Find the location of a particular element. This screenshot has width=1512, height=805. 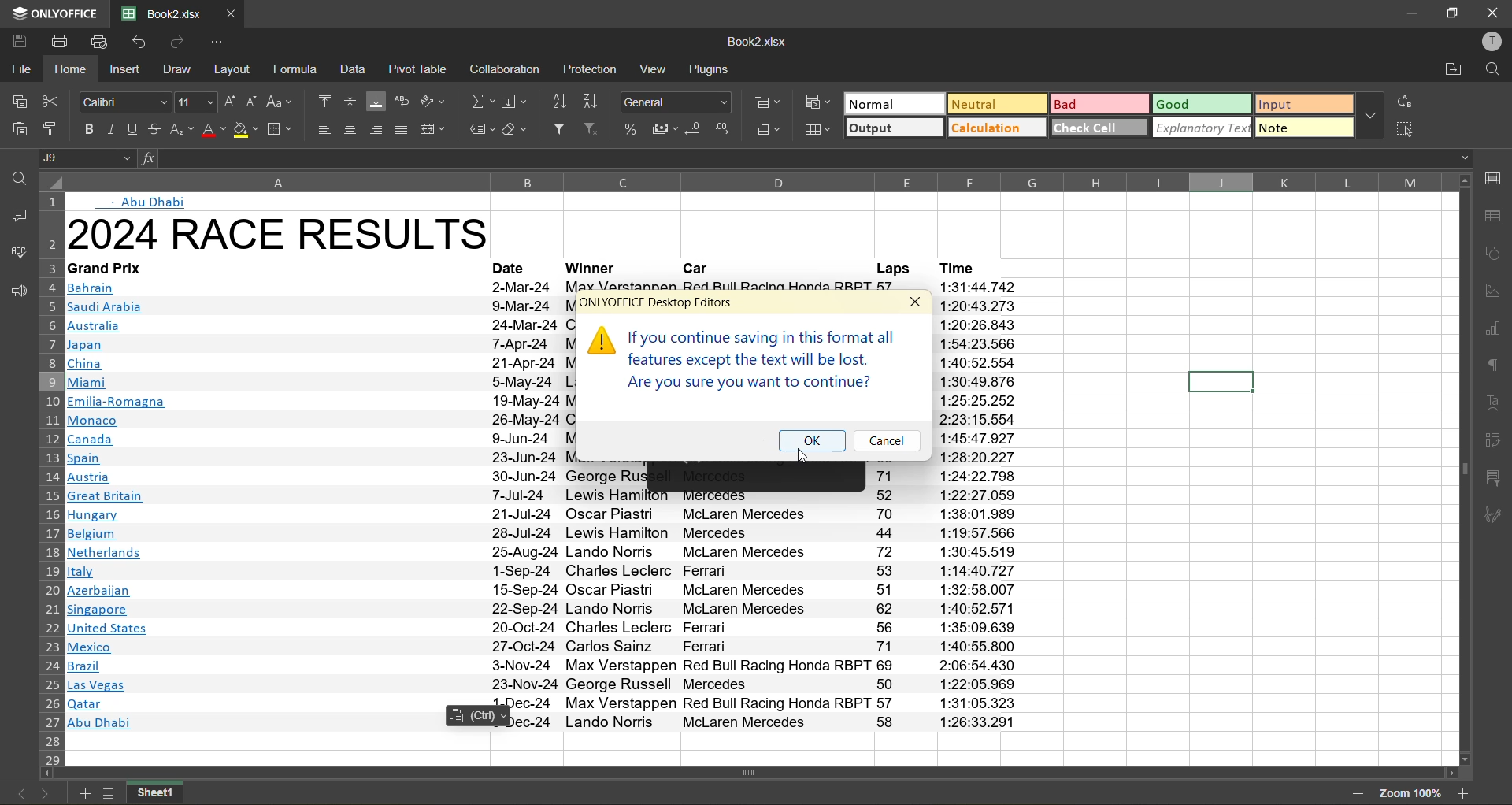

calculation is located at coordinates (997, 129).